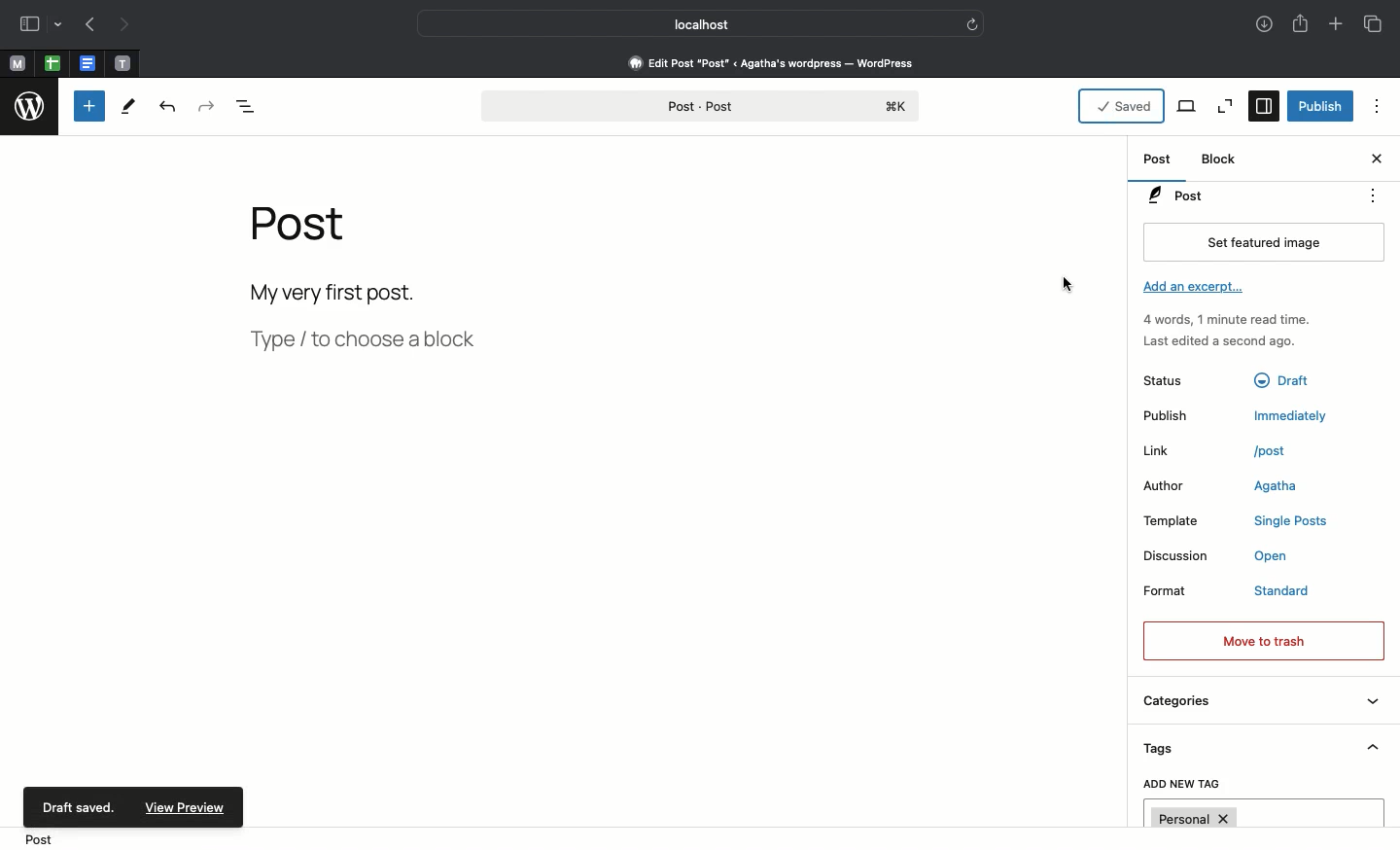 Image resolution: width=1400 pixels, height=850 pixels. I want to click on Redo, so click(204, 104).